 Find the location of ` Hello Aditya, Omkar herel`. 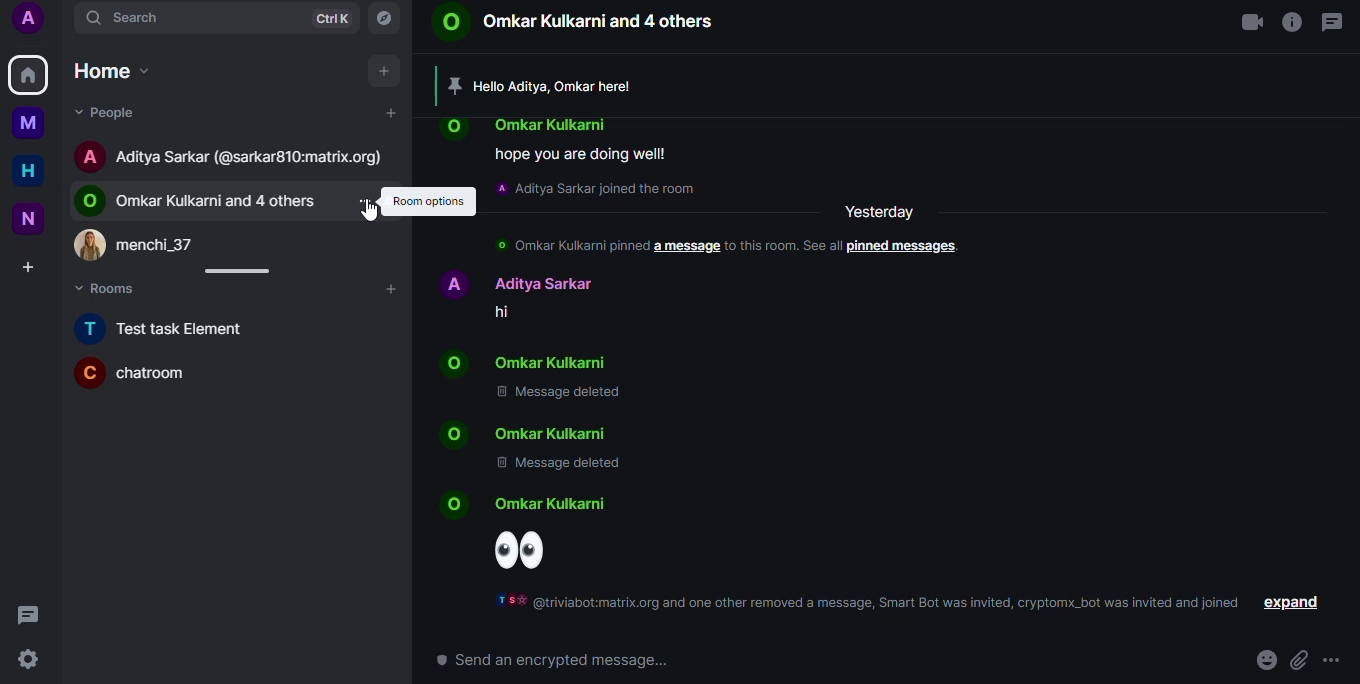

 Hello Aditya, Omkar herel is located at coordinates (559, 86).